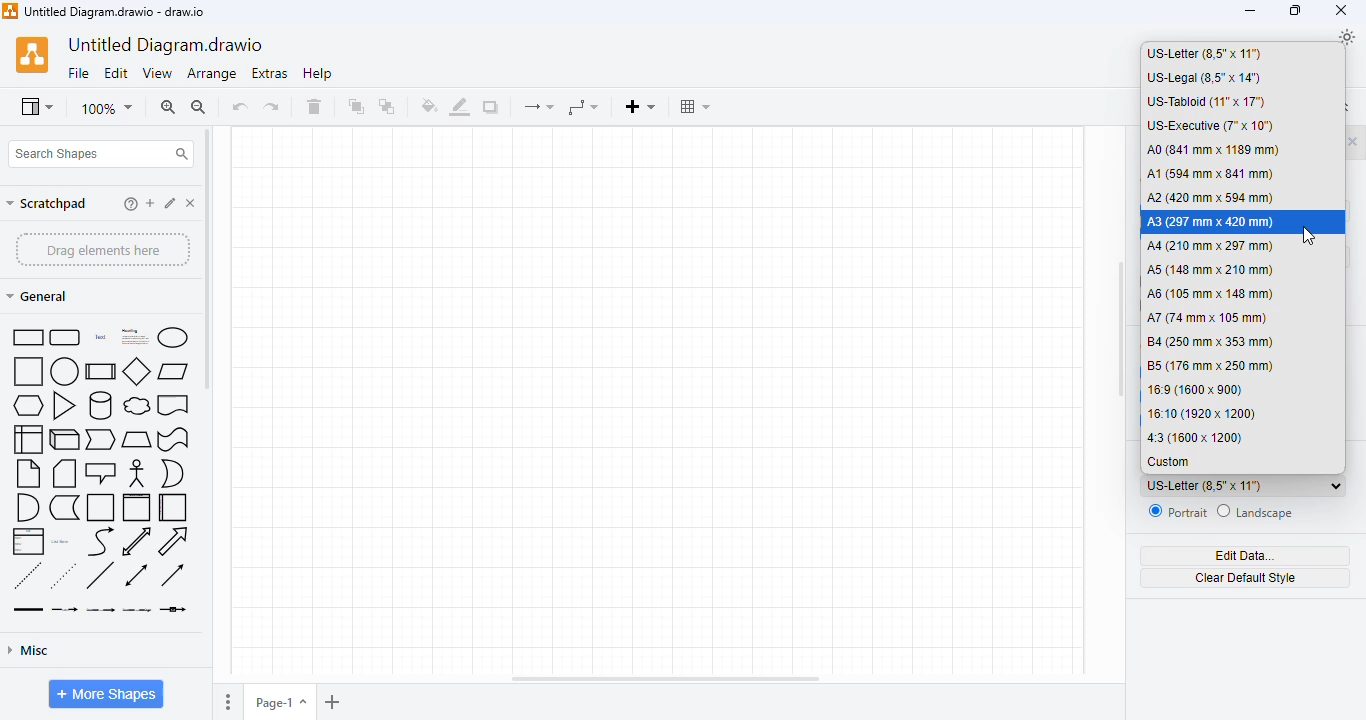 The height and width of the screenshot is (720, 1366). What do you see at coordinates (1205, 54) in the screenshot?
I see `US-letter` at bounding box center [1205, 54].